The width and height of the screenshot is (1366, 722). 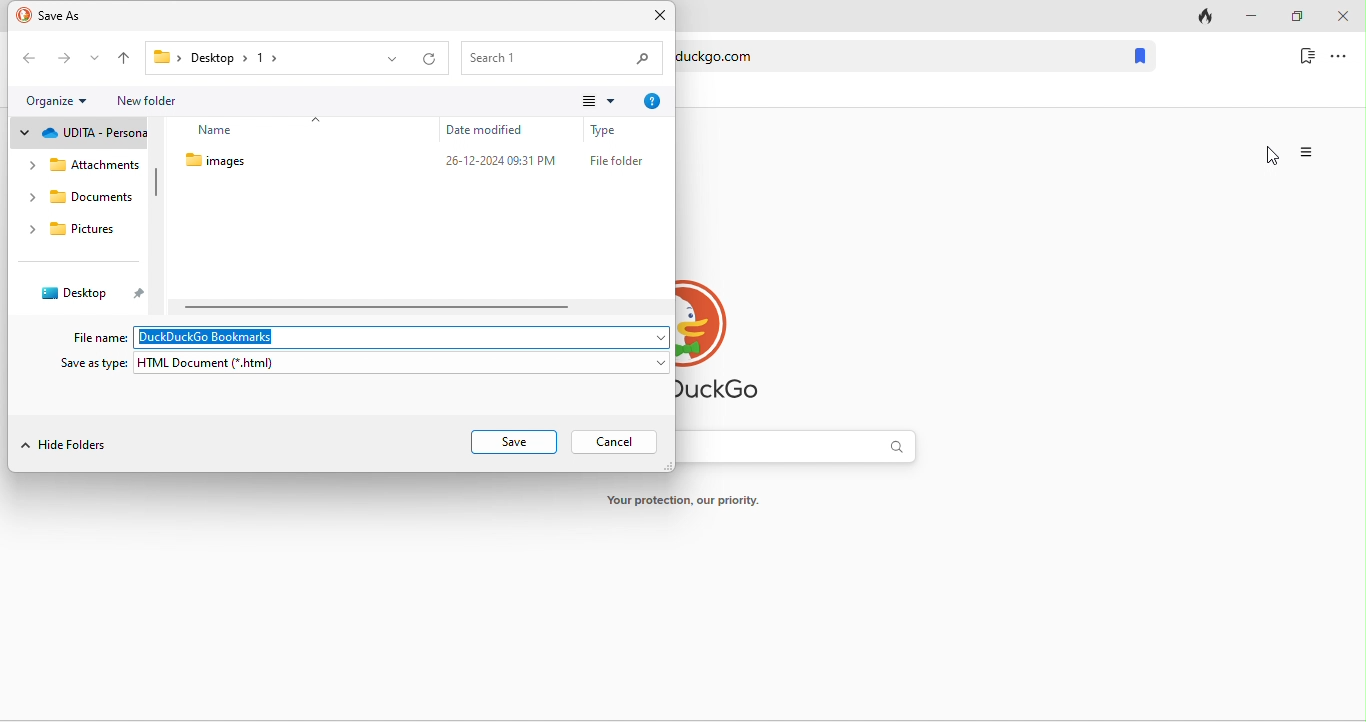 What do you see at coordinates (691, 502) in the screenshot?
I see `your protection, our priority.` at bounding box center [691, 502].